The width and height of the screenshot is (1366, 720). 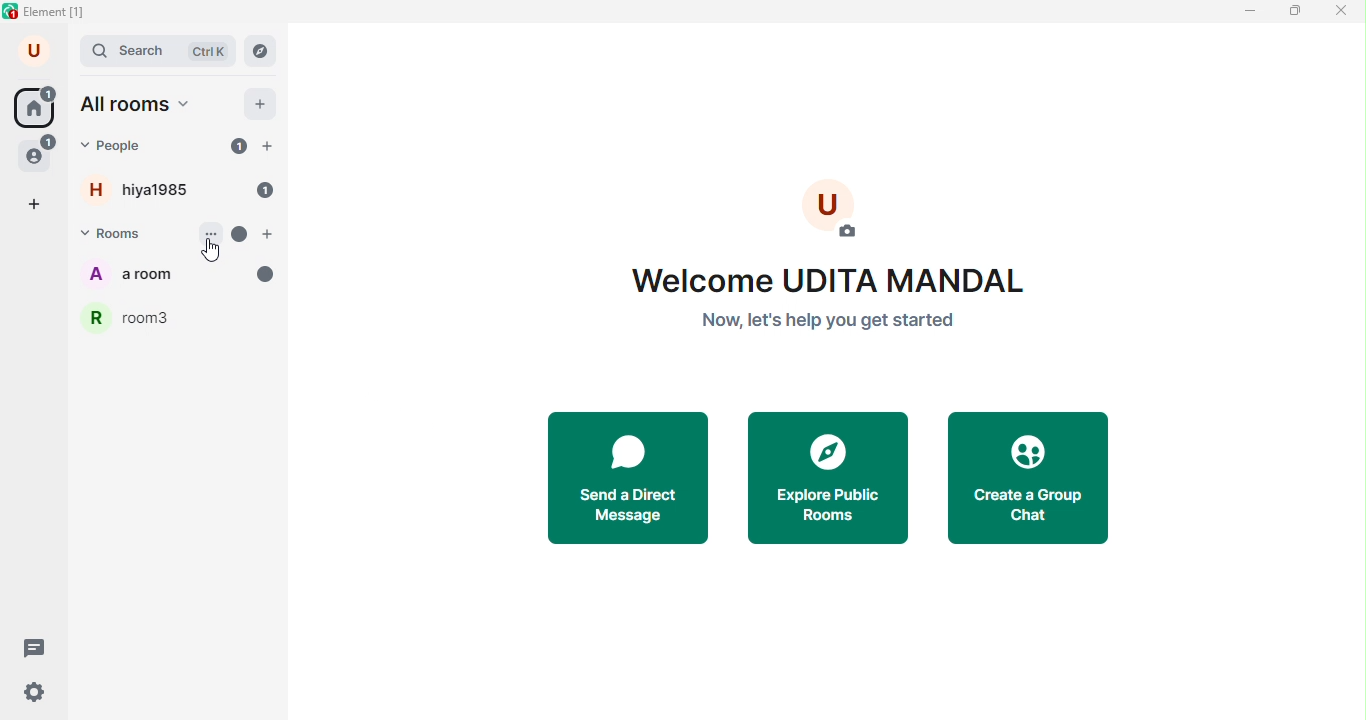 I want to click on home, so click(x=33, y=106).